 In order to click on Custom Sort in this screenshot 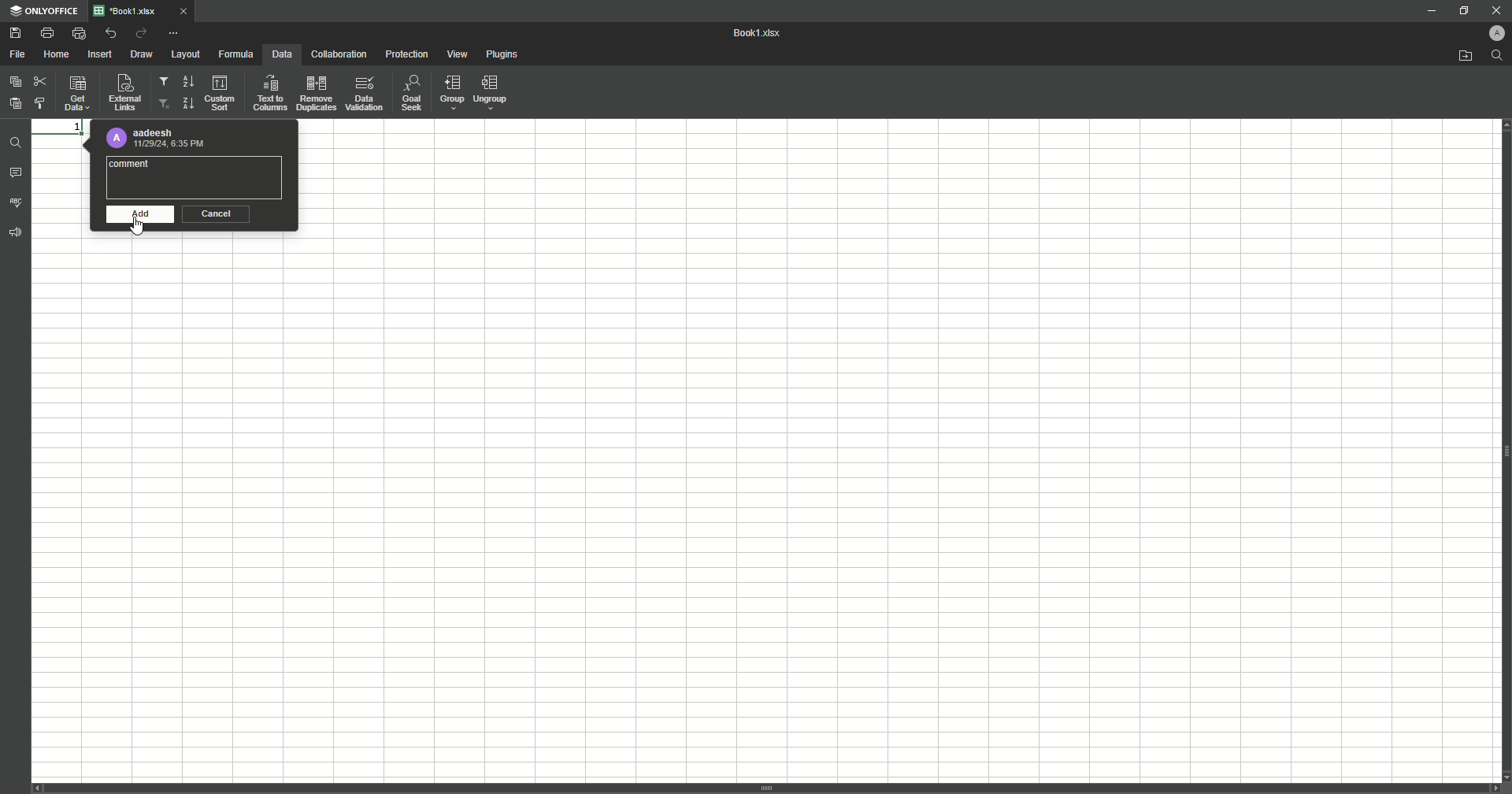, I will do `click(221, 94)`.